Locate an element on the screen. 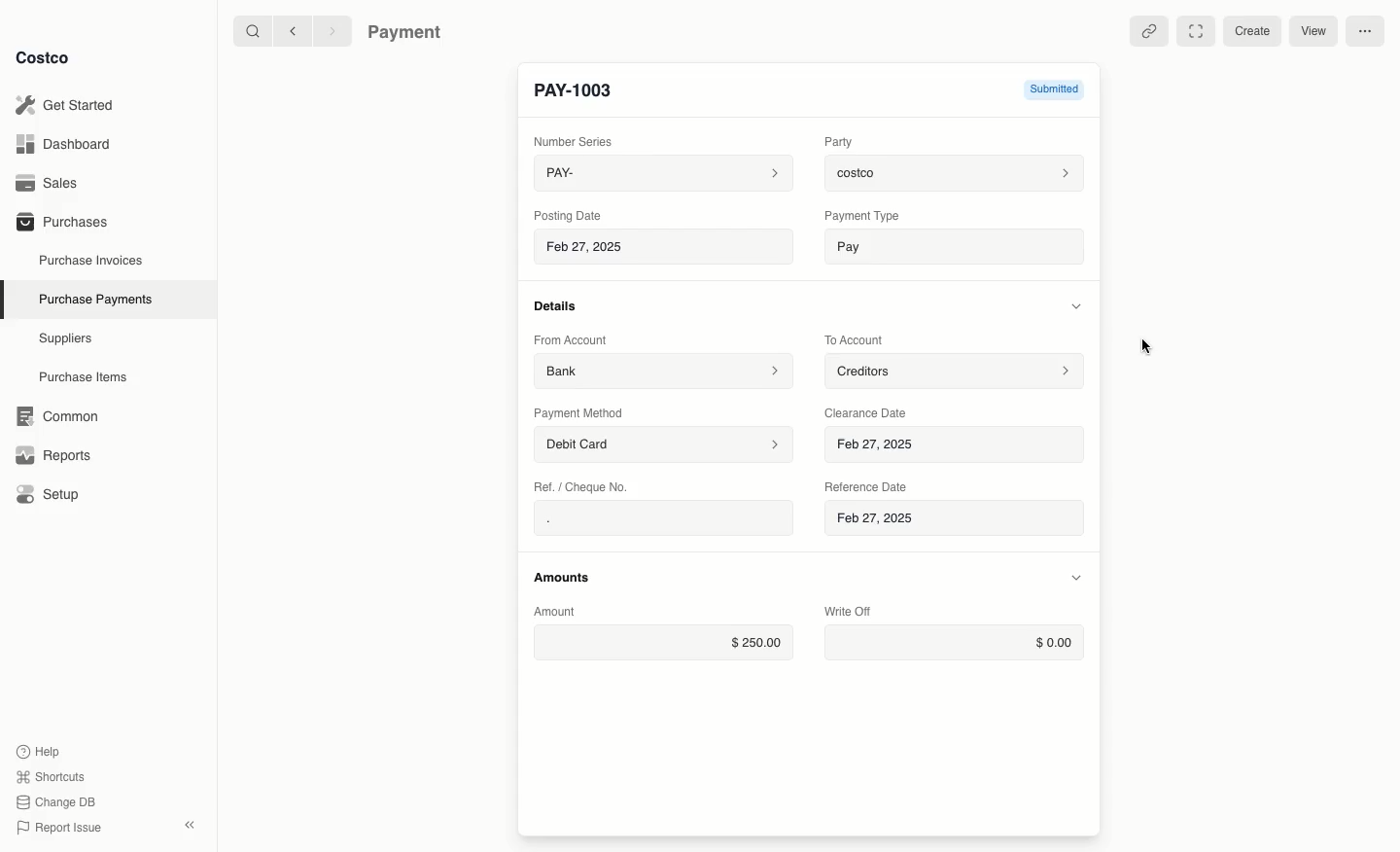 The image size is (1400, 852). Posting Date is located at coordinates (570, 214).